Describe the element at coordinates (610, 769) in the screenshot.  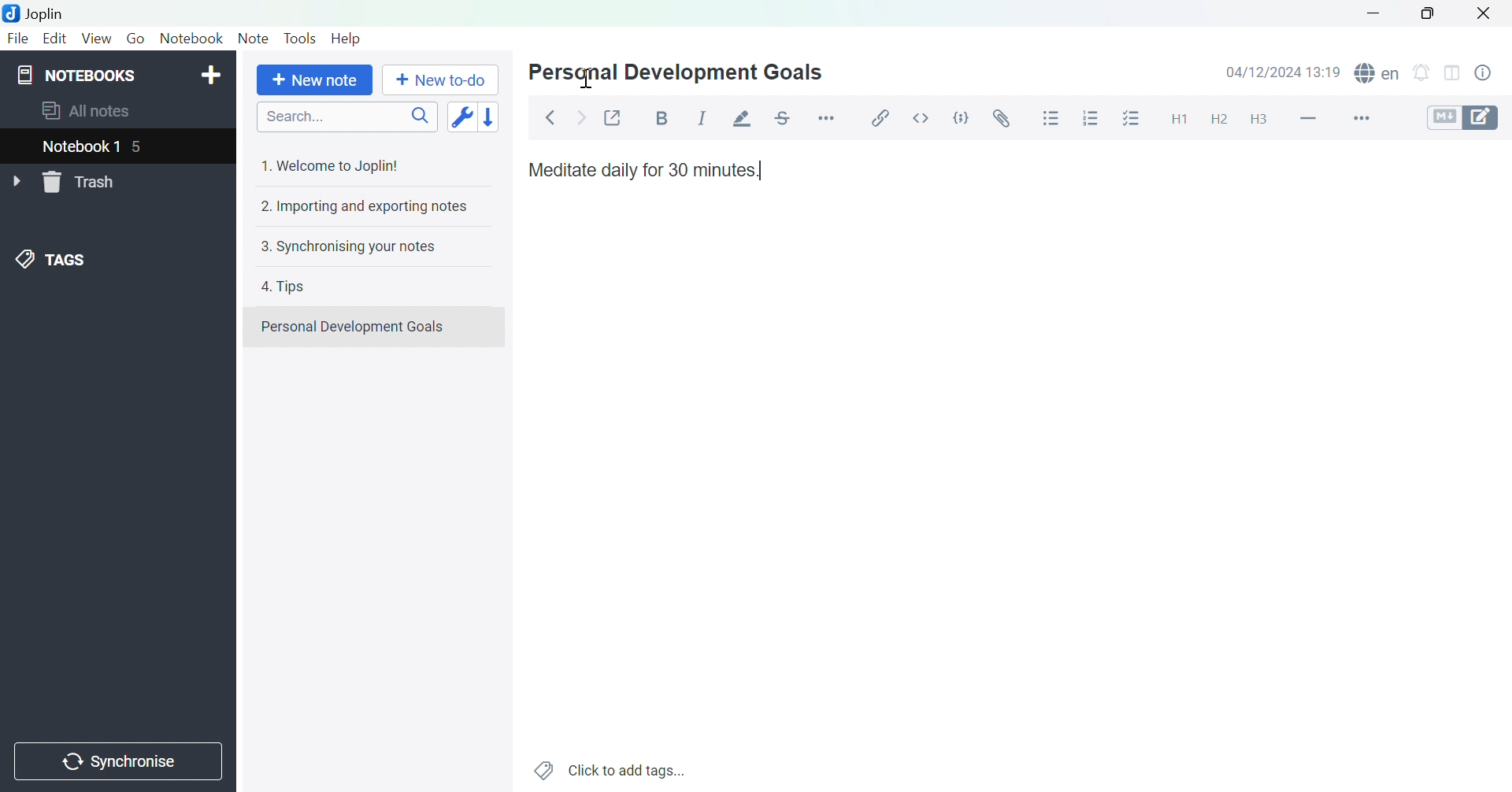
I see `Click to add tags...` at that location.